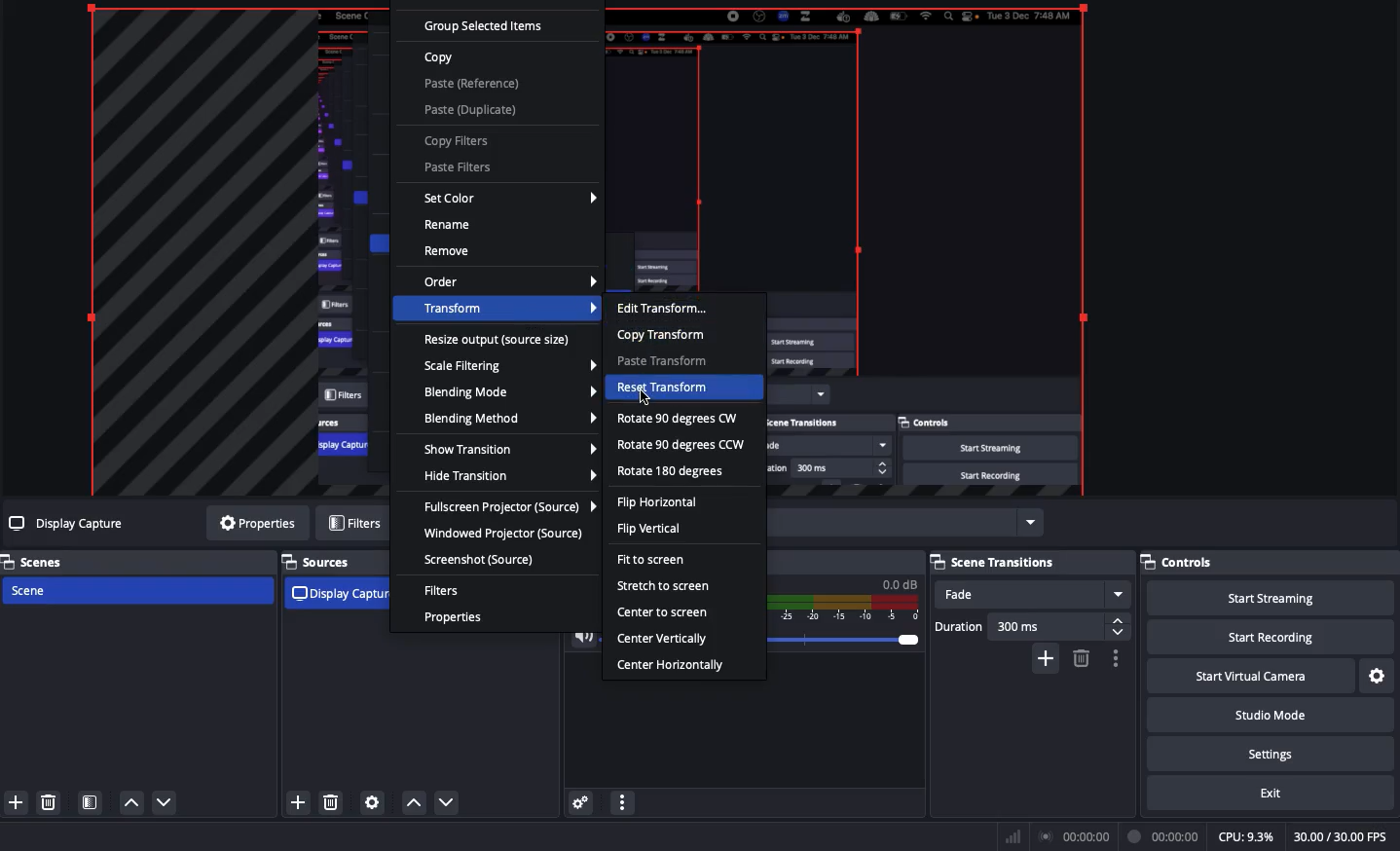 The height and width of the screenshot is (851, 1400). Describe the element at coordinates (707, 388) in the screenshot. I see `Reset transform` at that location.